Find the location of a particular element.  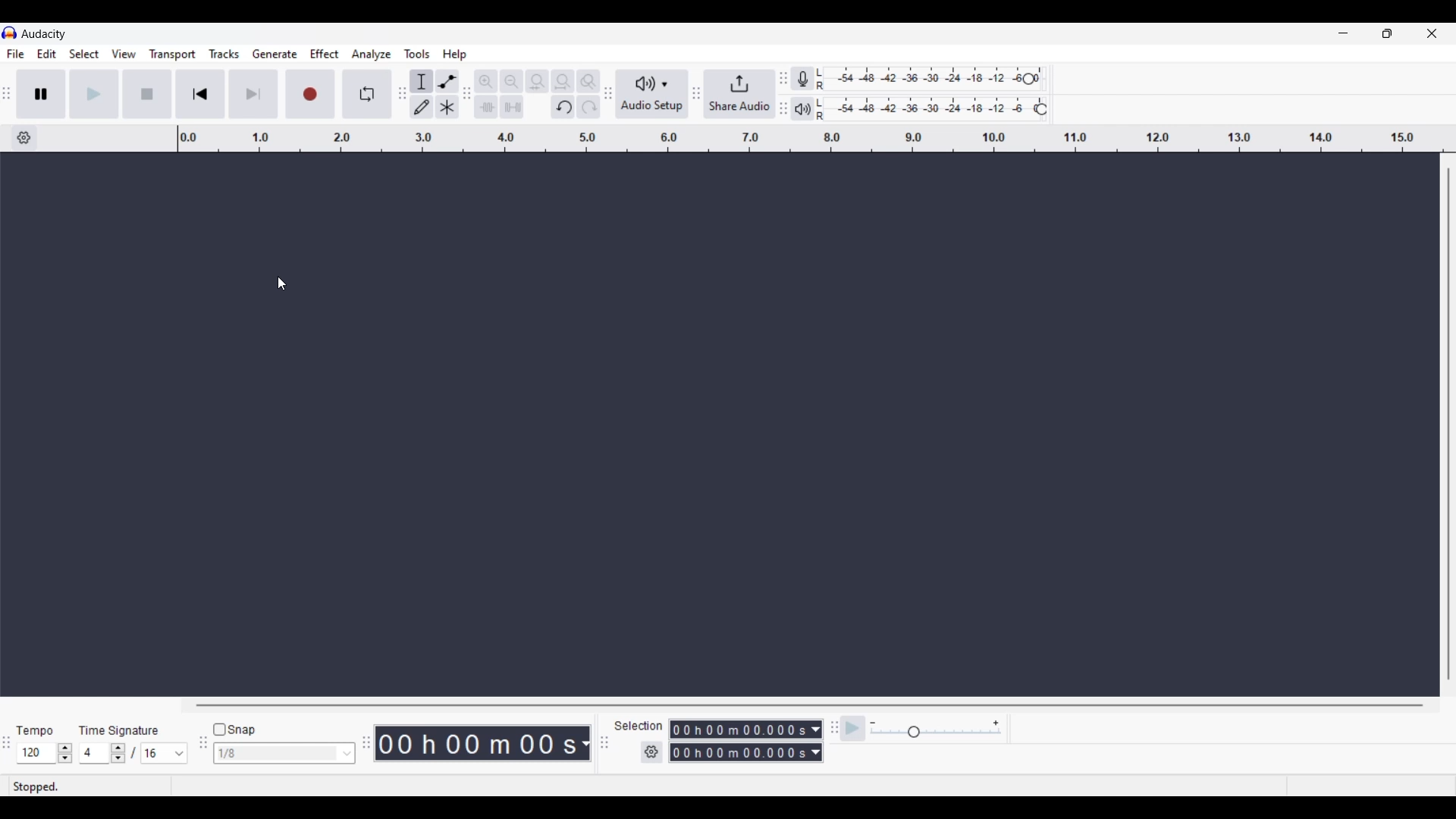

Text is located at coordinates (36, 731).